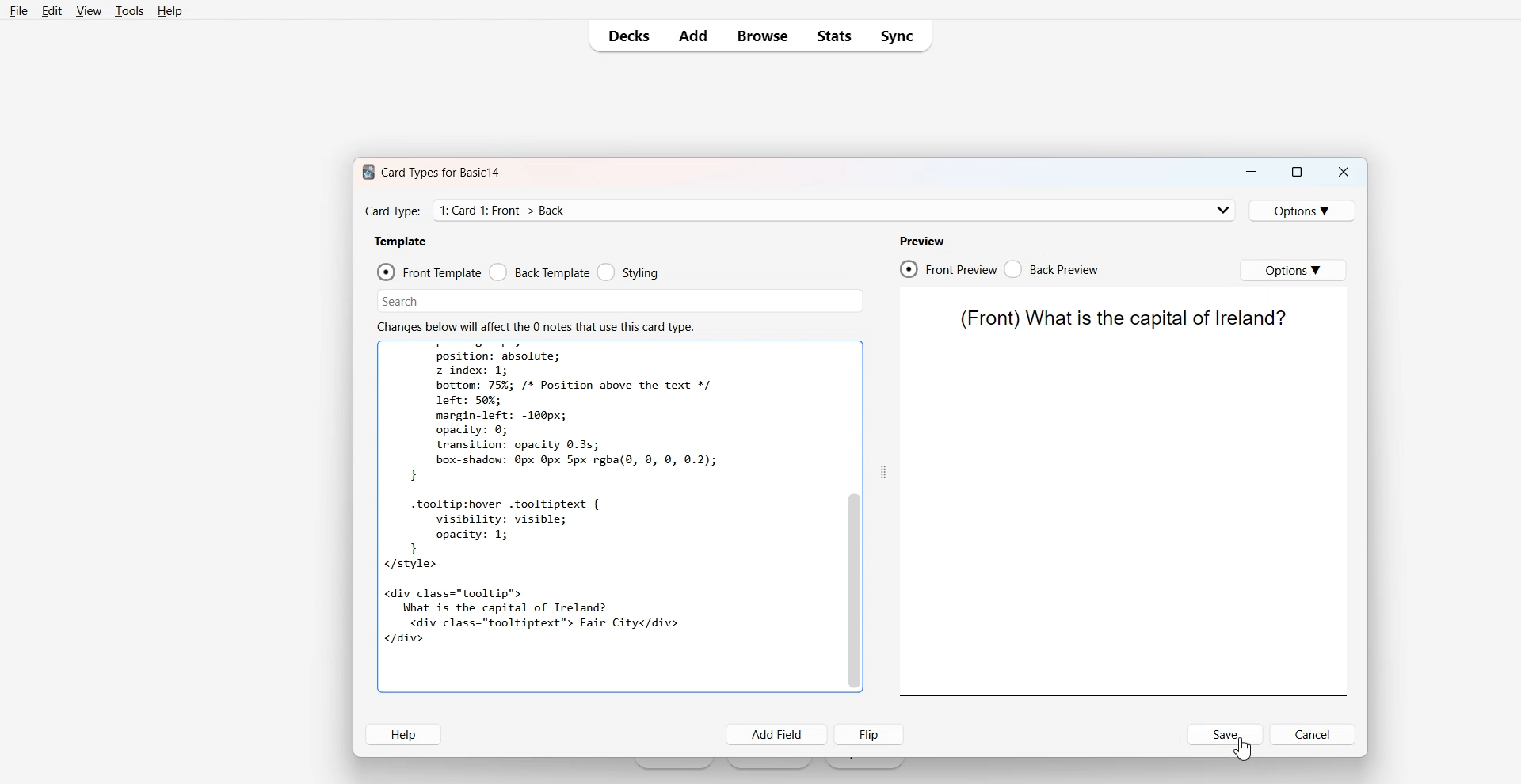  What do you see at coordinates (404, 734) in the screenshot?
I see `Help` at bounding box center [404, 734].